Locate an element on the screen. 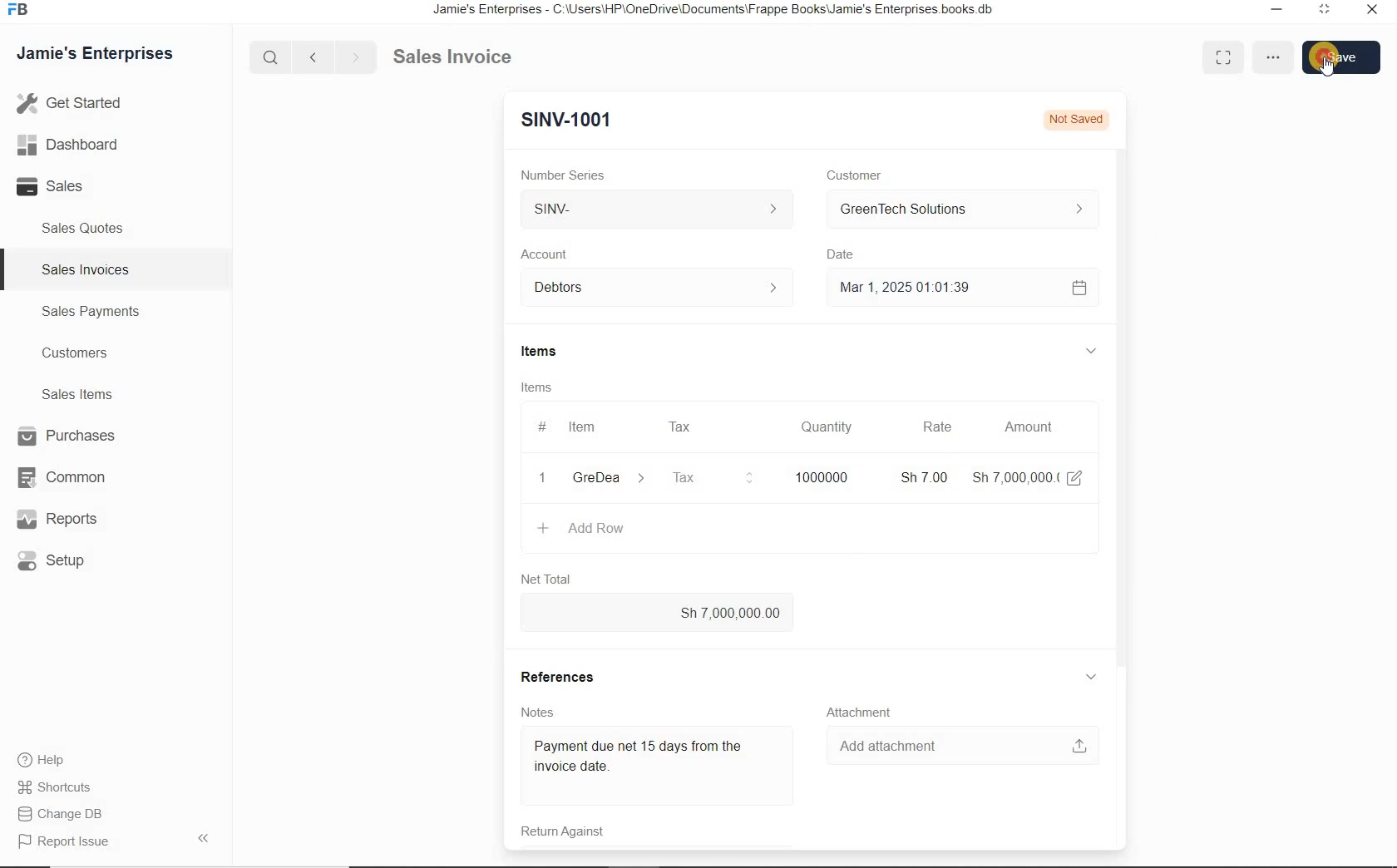 The height and width of the screenshot is (868, 1397). Jamie's Enterprises is located at coordinates (93, 54).